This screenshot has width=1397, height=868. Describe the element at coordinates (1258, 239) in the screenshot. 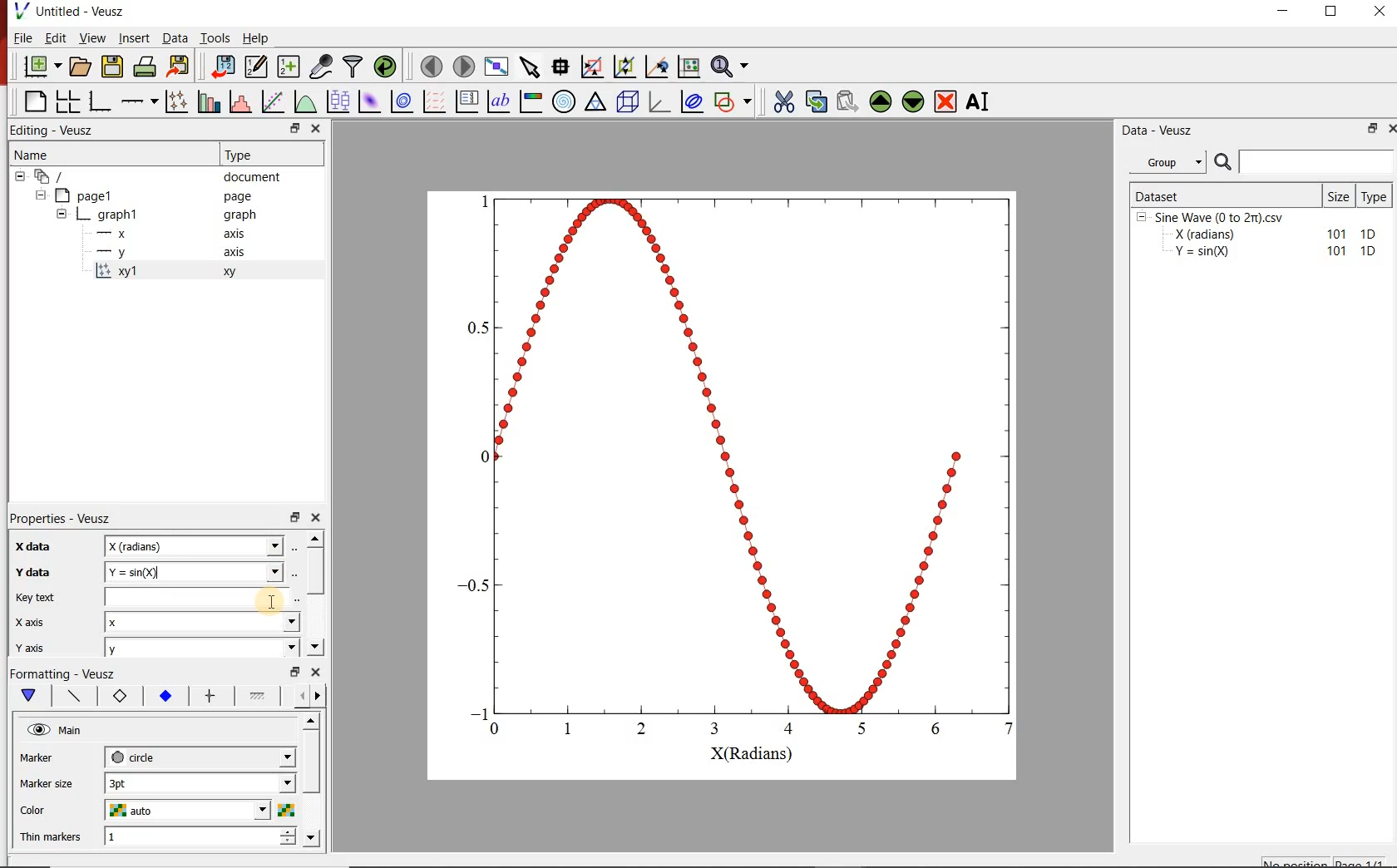

I see `Sine Wave (0 to 2m).csvX (radians) 101 1DY =sin(Q) 101 1D` at that location.